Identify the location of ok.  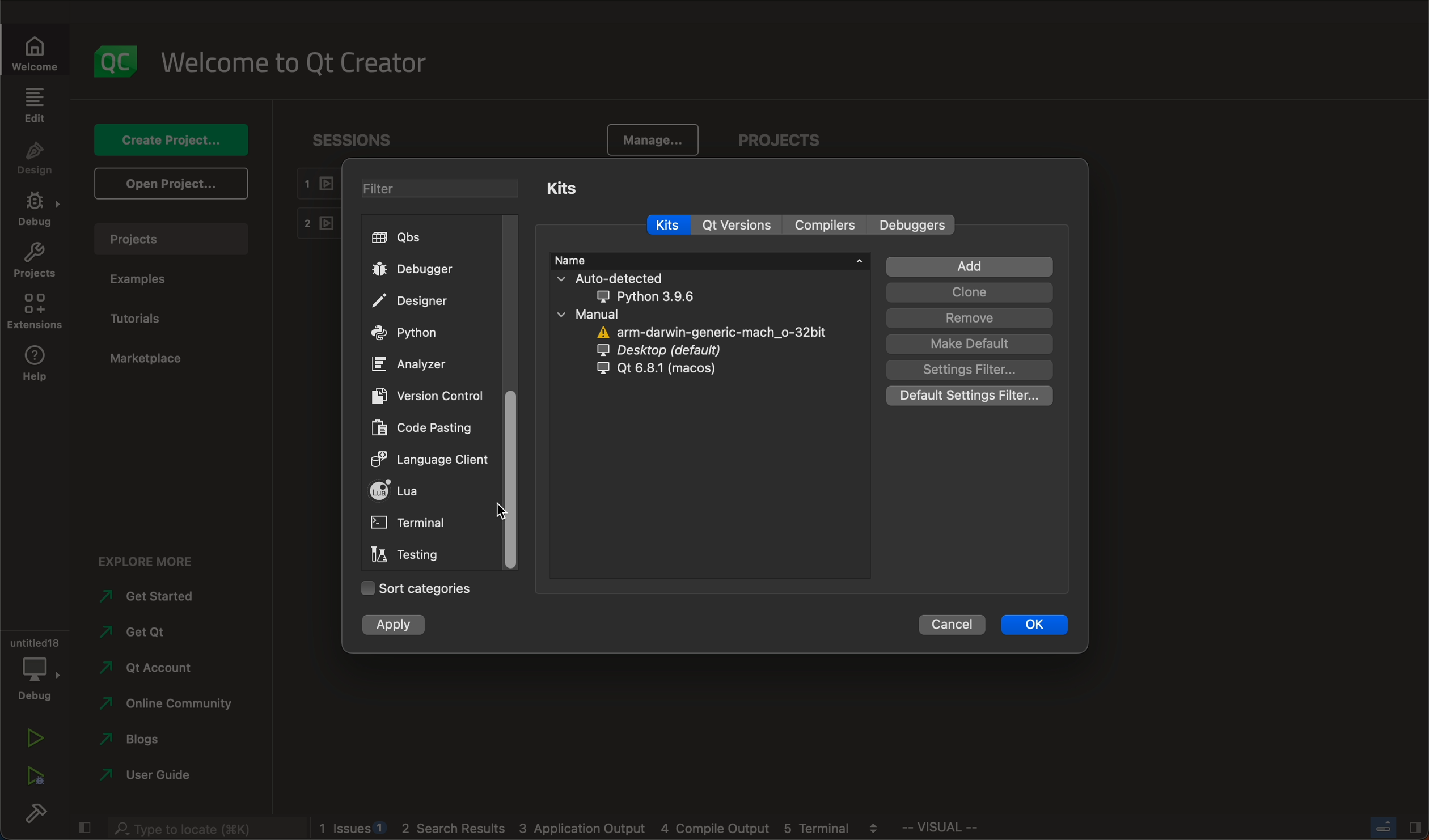
(1030, 624).